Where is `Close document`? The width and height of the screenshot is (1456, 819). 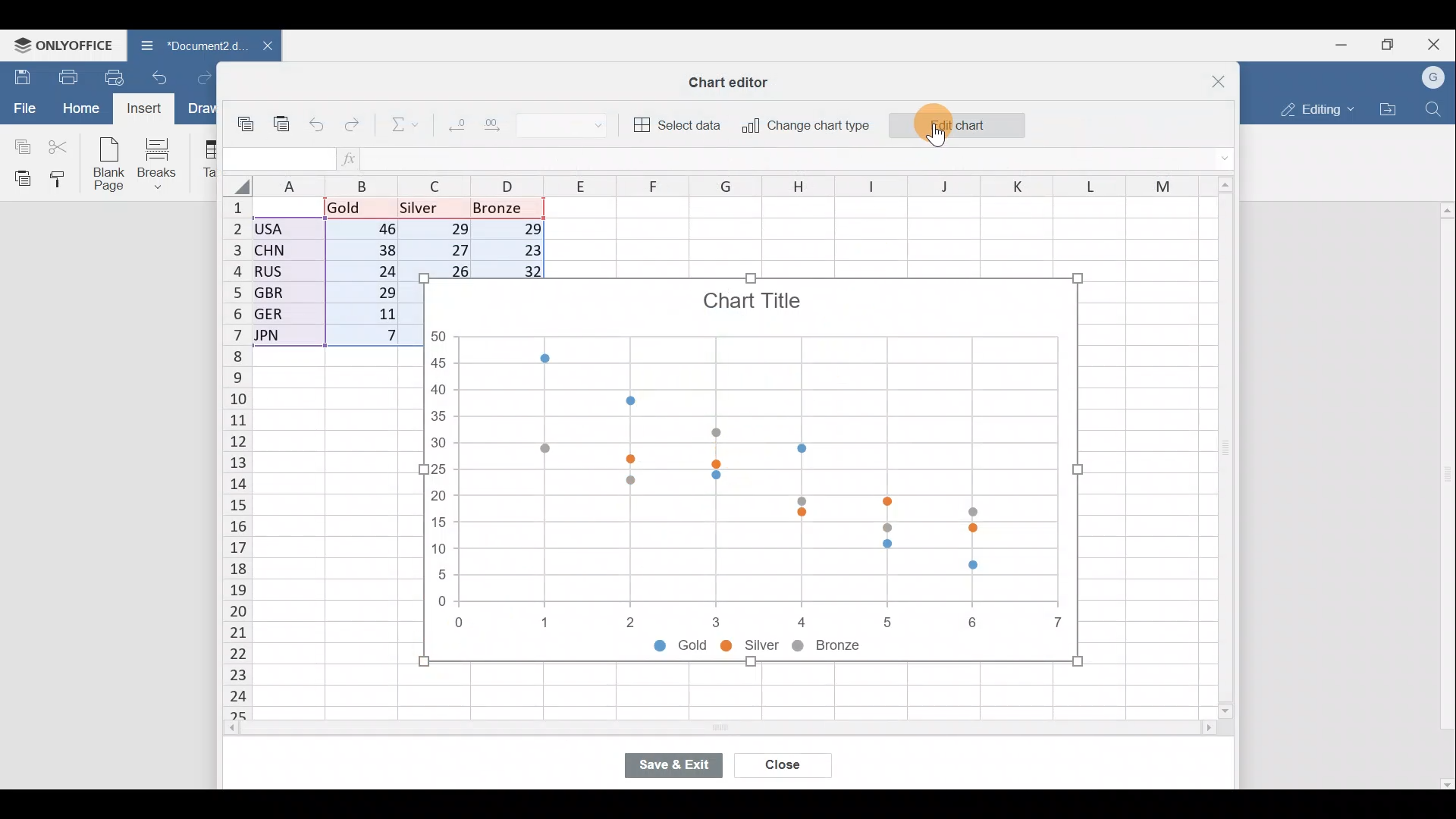
Close document is located at coordinates (259, 47).